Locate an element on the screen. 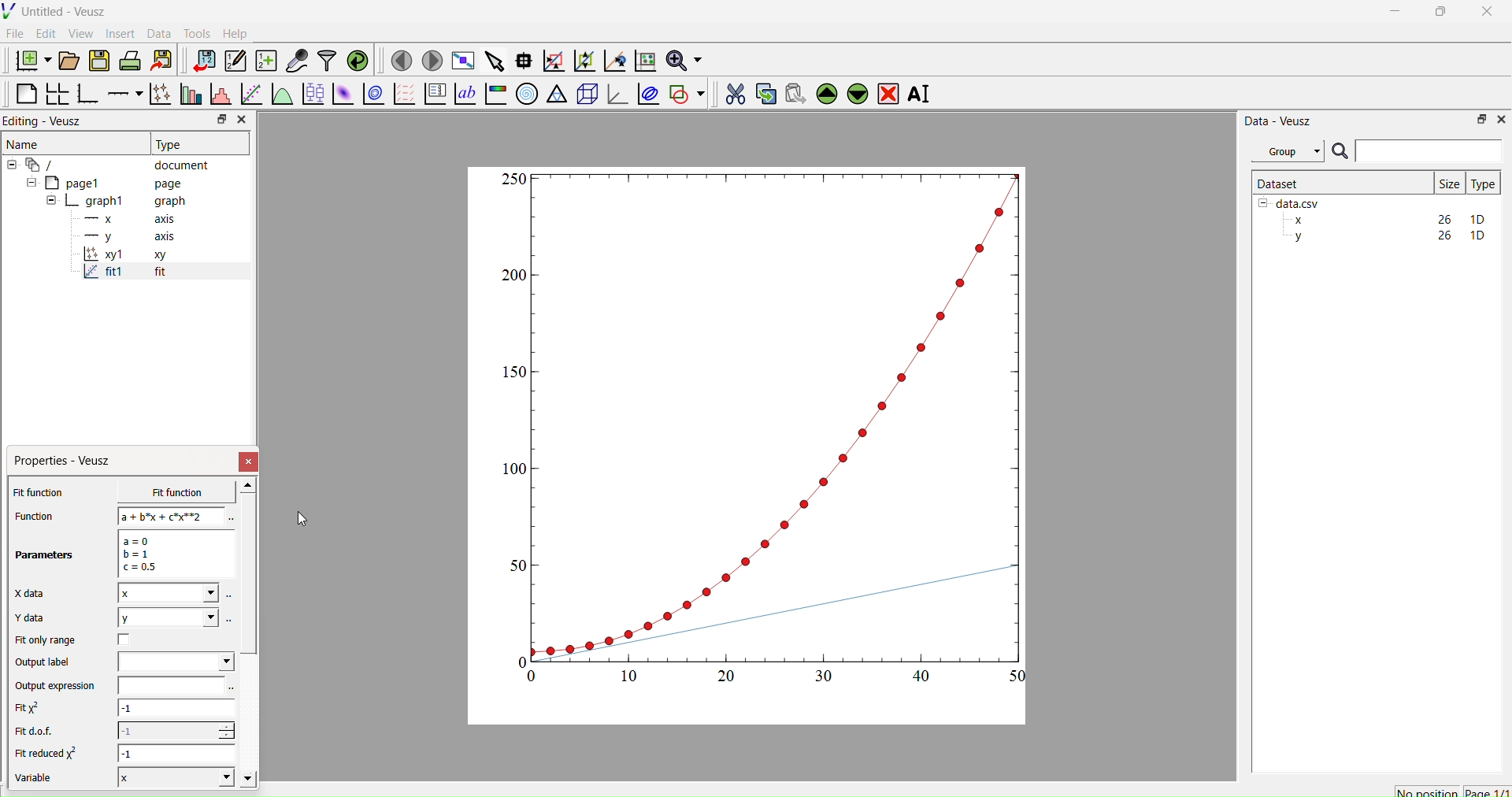 The height and width of the screenshot is (797, 1512). Parameters is located at coordinates (46, 555).